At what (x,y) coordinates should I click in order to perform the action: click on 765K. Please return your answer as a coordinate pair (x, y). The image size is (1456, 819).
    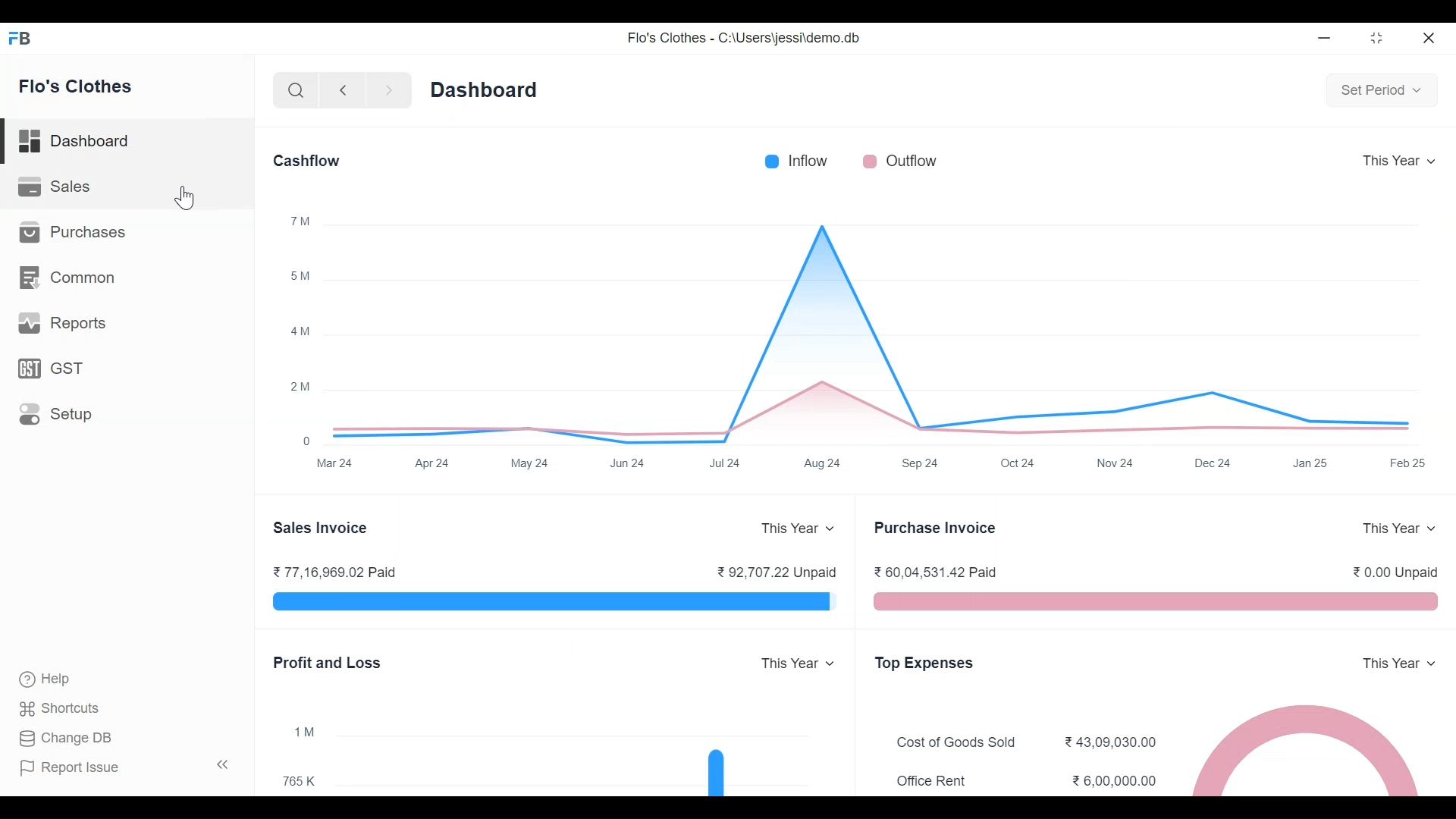
    Looking at the image, I should click on (301, 782).